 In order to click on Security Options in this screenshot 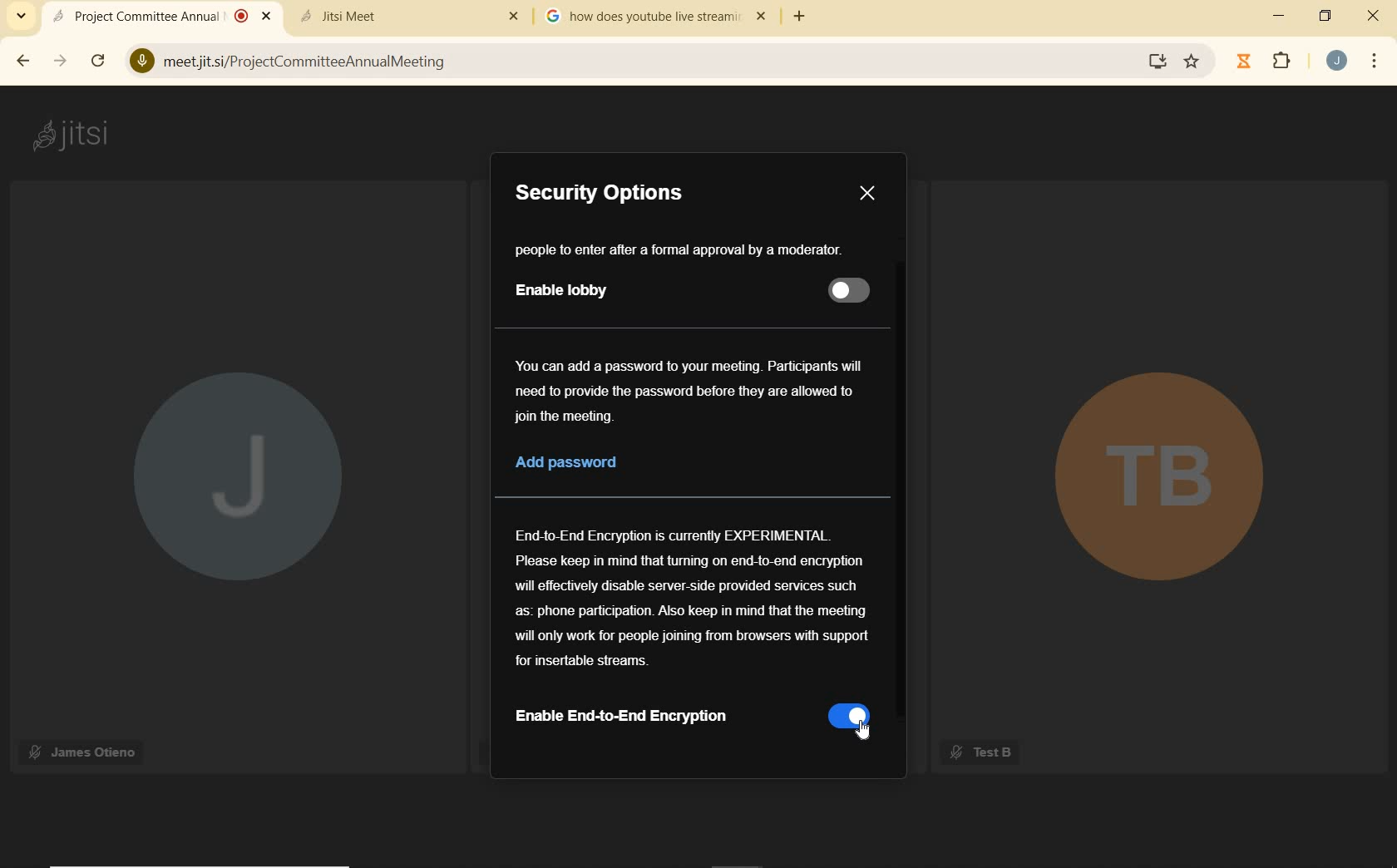, I will do `click(600, 192)`.